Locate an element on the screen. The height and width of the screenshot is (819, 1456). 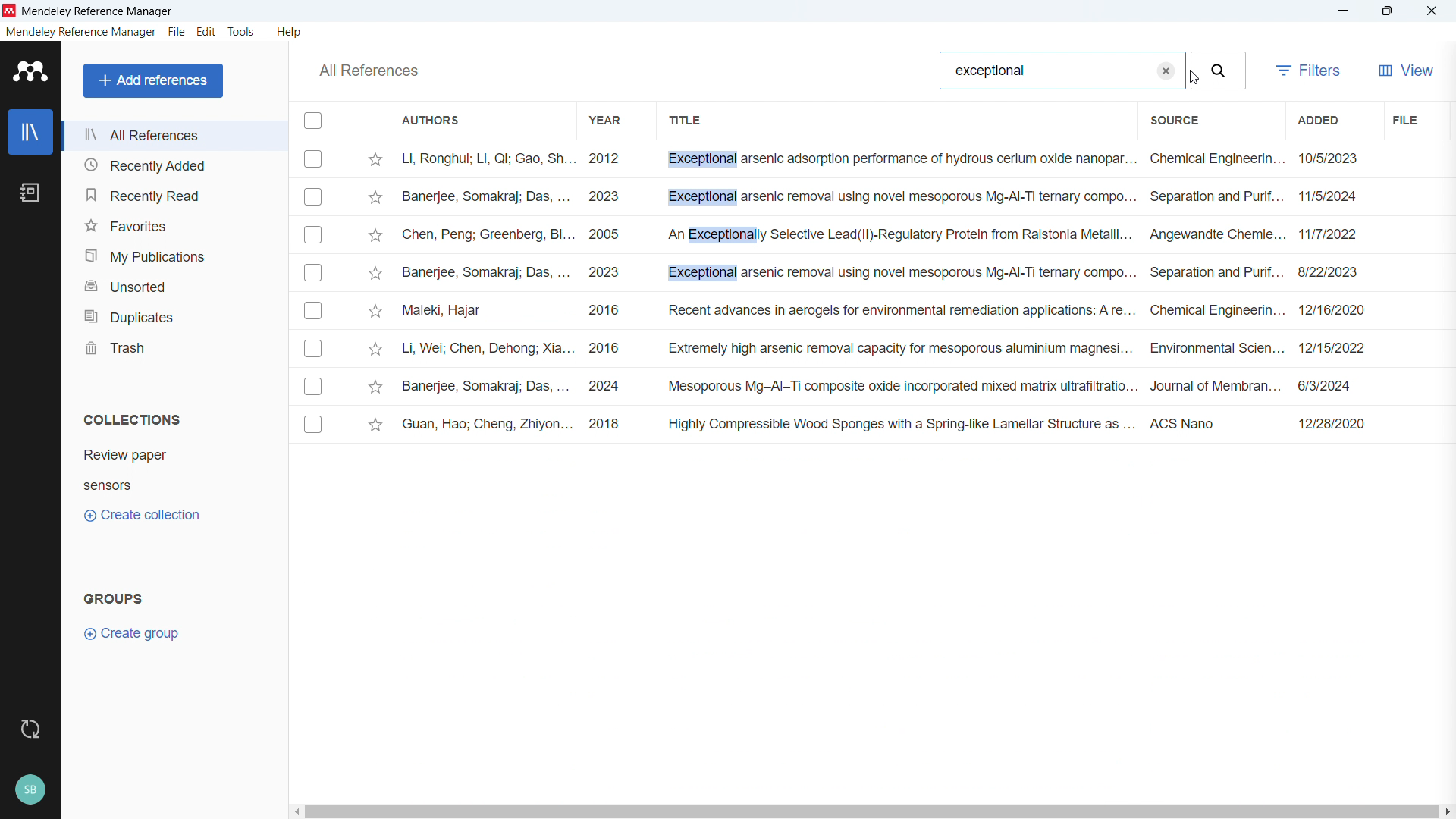
edit is located at coordinates (206, 31).